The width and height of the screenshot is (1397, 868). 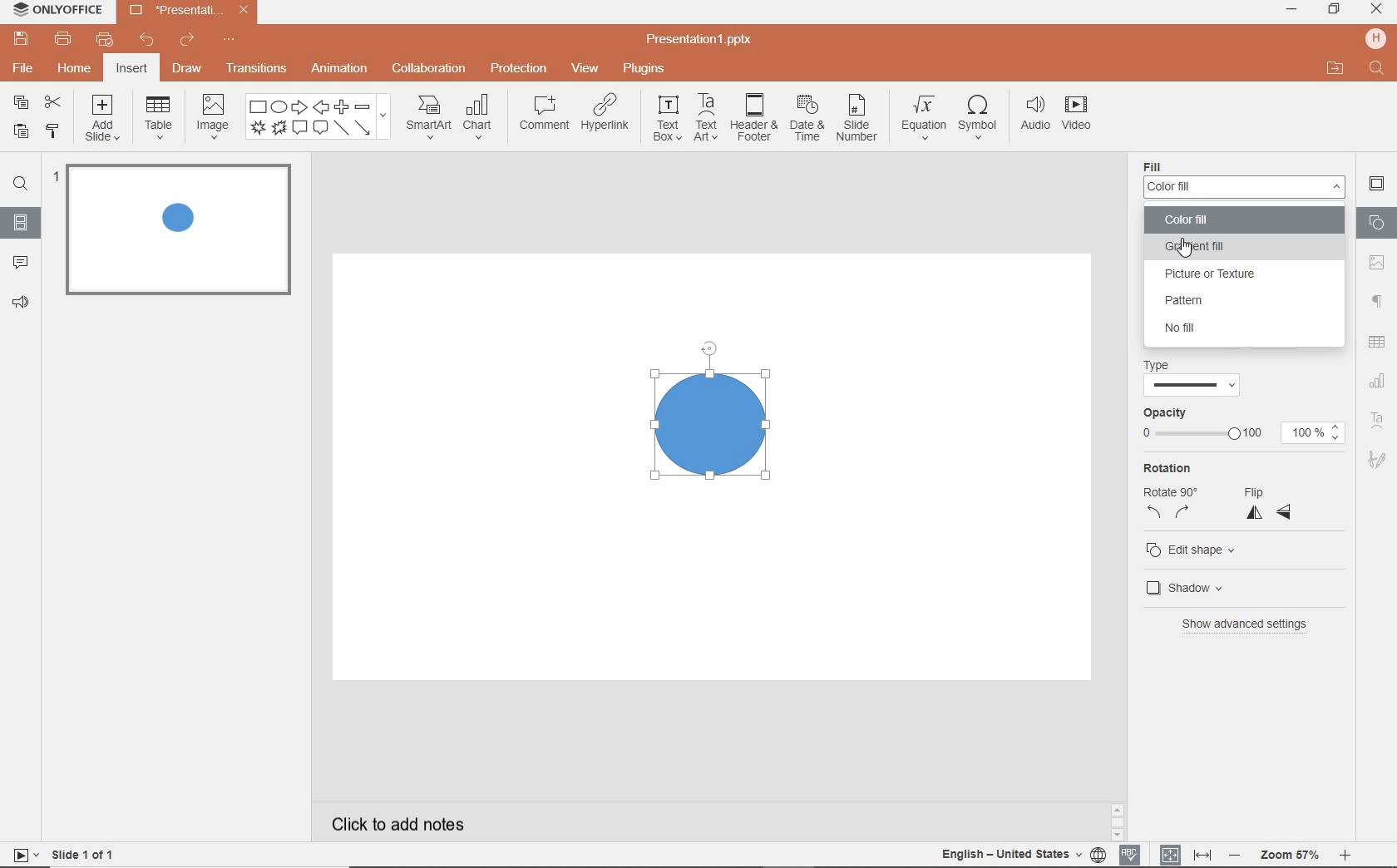 I want to click on image settings, so click(x=1380, y=261).